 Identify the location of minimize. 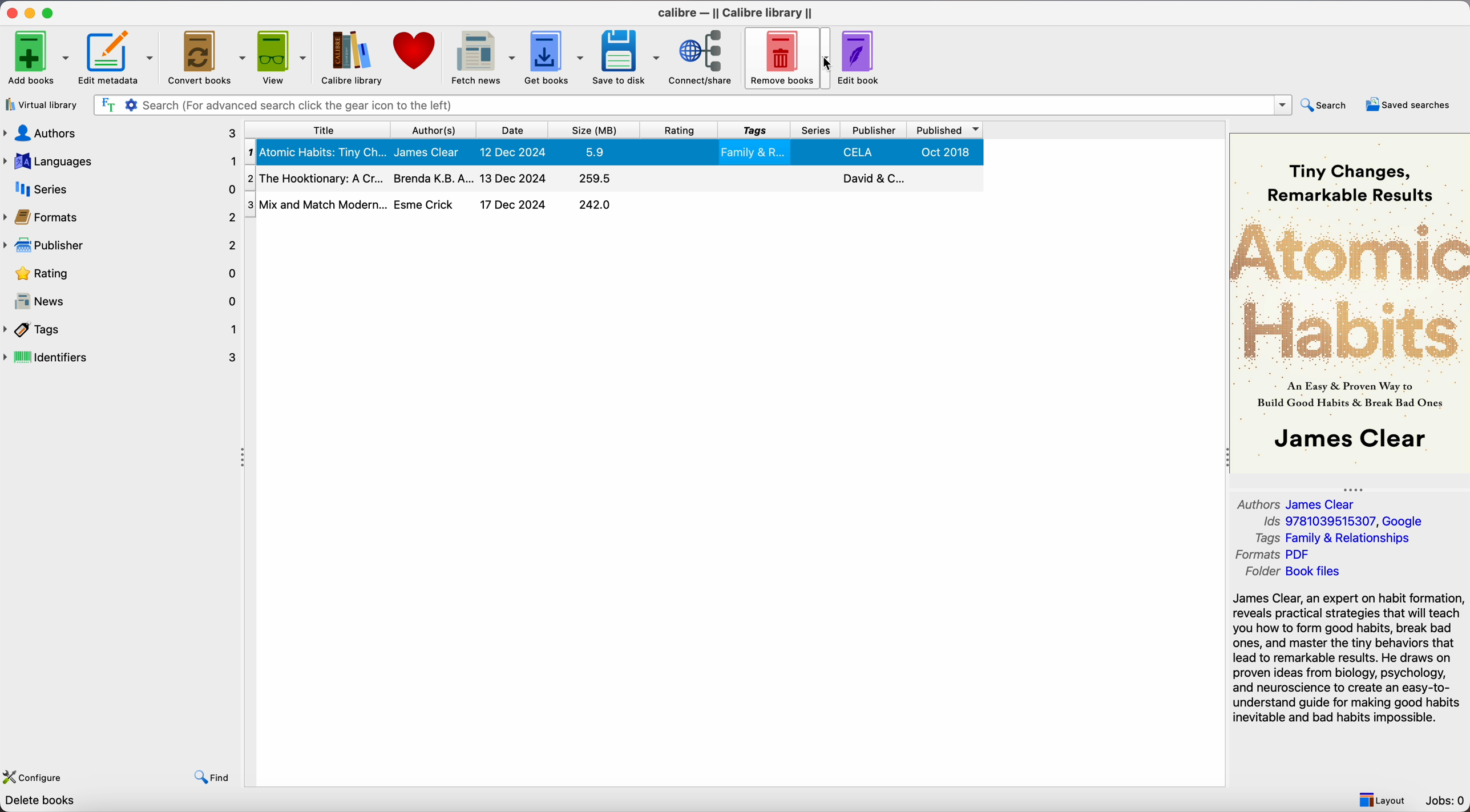
(32, 14).